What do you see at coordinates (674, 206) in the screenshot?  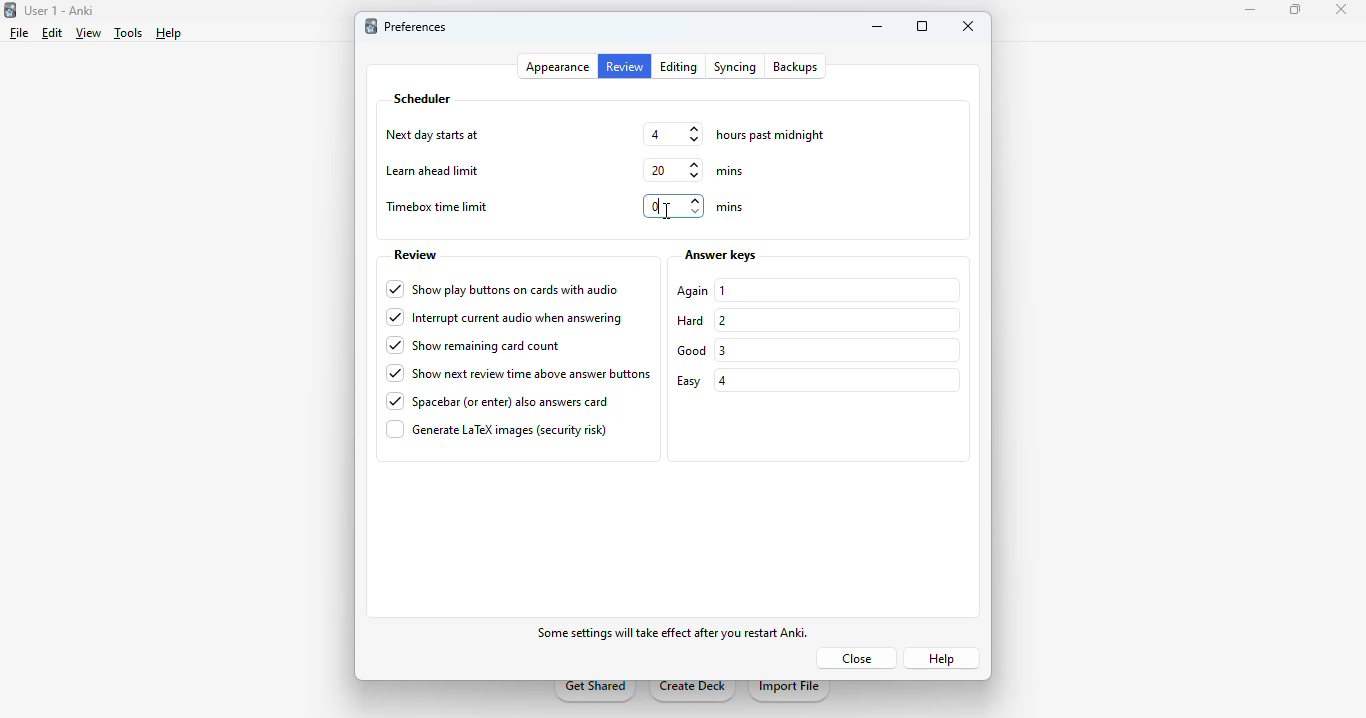 I see `typing` at bounding box center [674, 206].